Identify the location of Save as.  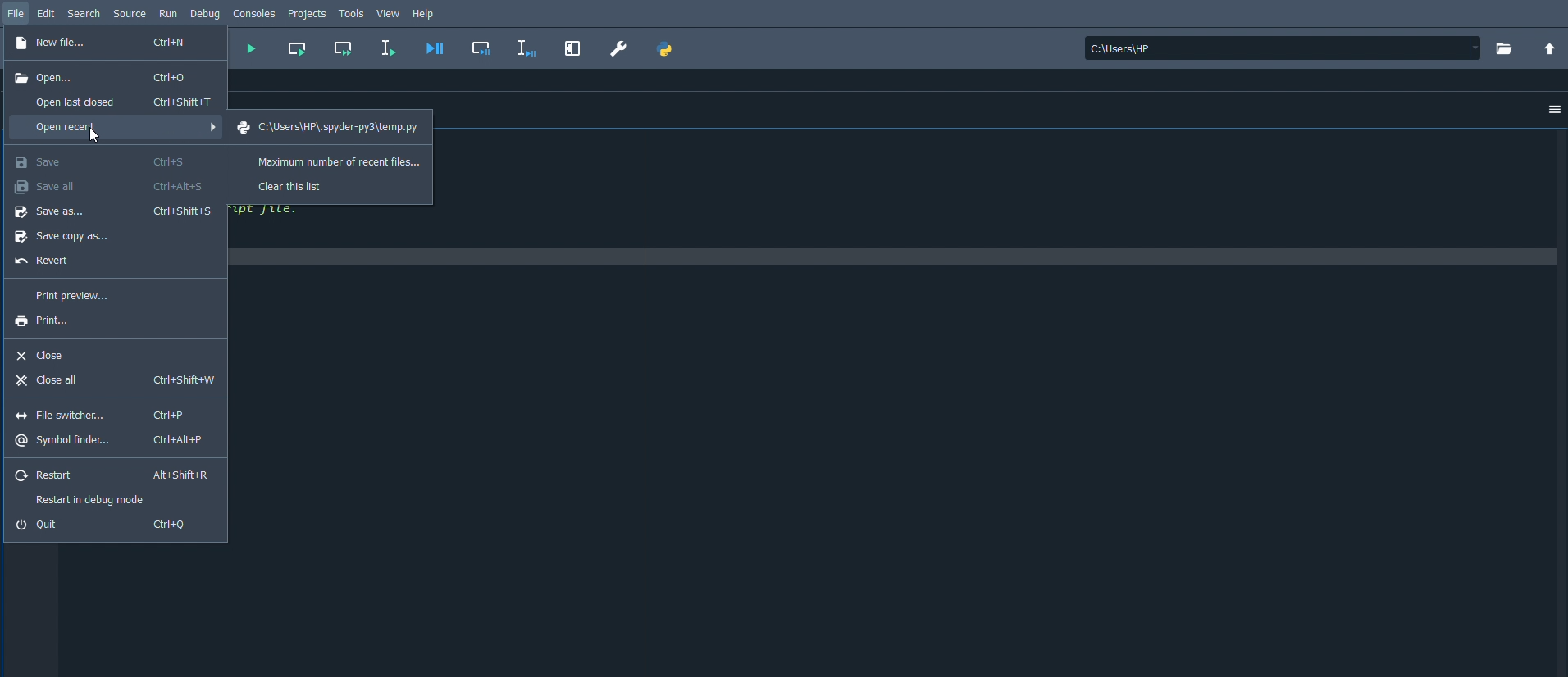
(115, 211).